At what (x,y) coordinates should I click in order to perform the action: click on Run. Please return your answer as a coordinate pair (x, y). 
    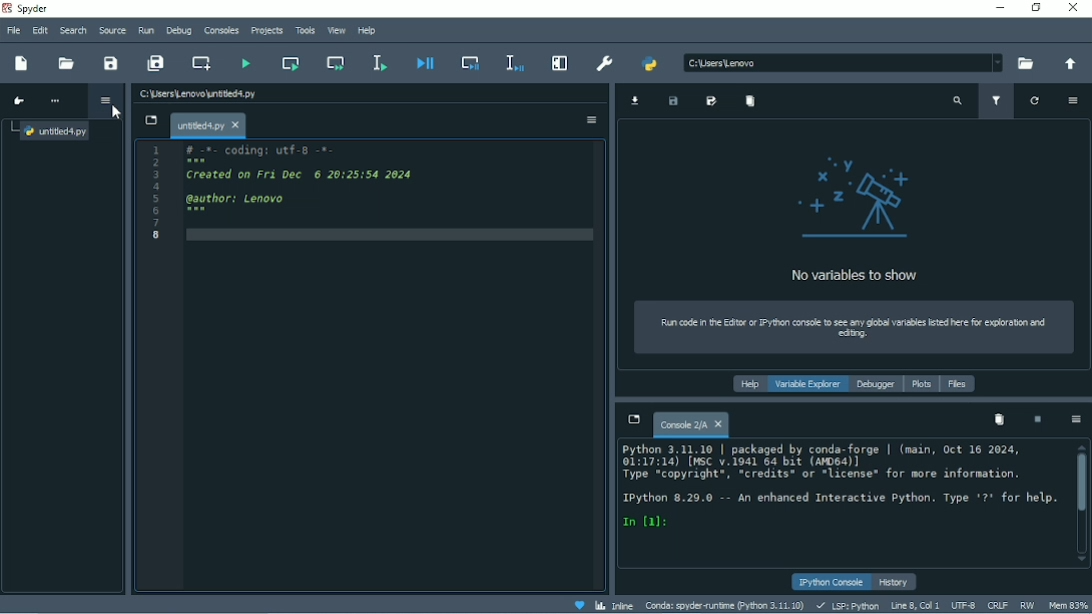
    Looking at the image, I should click on (146, 30).